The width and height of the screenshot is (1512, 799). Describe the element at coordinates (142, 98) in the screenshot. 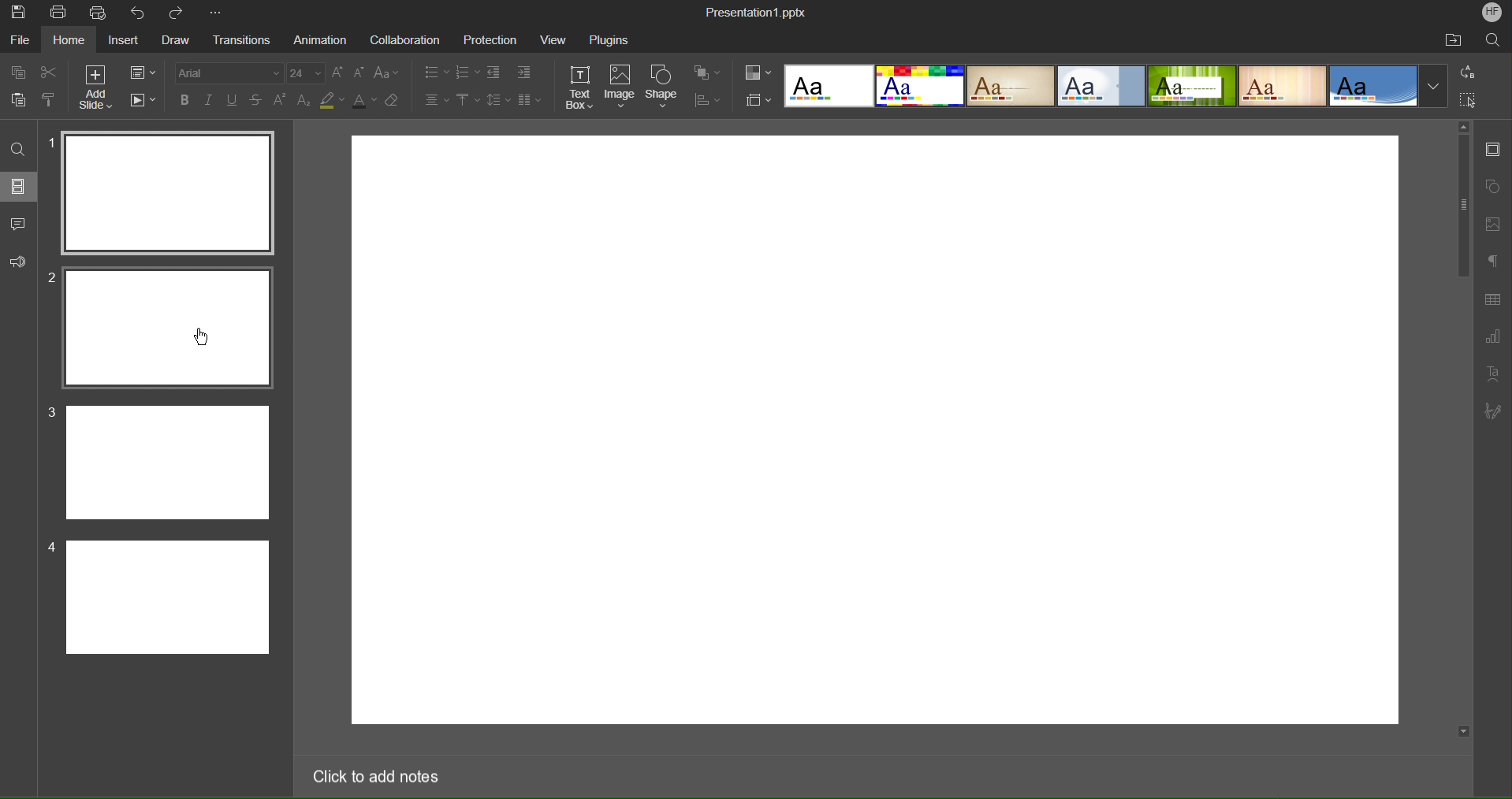

I see `Playback` at that location.